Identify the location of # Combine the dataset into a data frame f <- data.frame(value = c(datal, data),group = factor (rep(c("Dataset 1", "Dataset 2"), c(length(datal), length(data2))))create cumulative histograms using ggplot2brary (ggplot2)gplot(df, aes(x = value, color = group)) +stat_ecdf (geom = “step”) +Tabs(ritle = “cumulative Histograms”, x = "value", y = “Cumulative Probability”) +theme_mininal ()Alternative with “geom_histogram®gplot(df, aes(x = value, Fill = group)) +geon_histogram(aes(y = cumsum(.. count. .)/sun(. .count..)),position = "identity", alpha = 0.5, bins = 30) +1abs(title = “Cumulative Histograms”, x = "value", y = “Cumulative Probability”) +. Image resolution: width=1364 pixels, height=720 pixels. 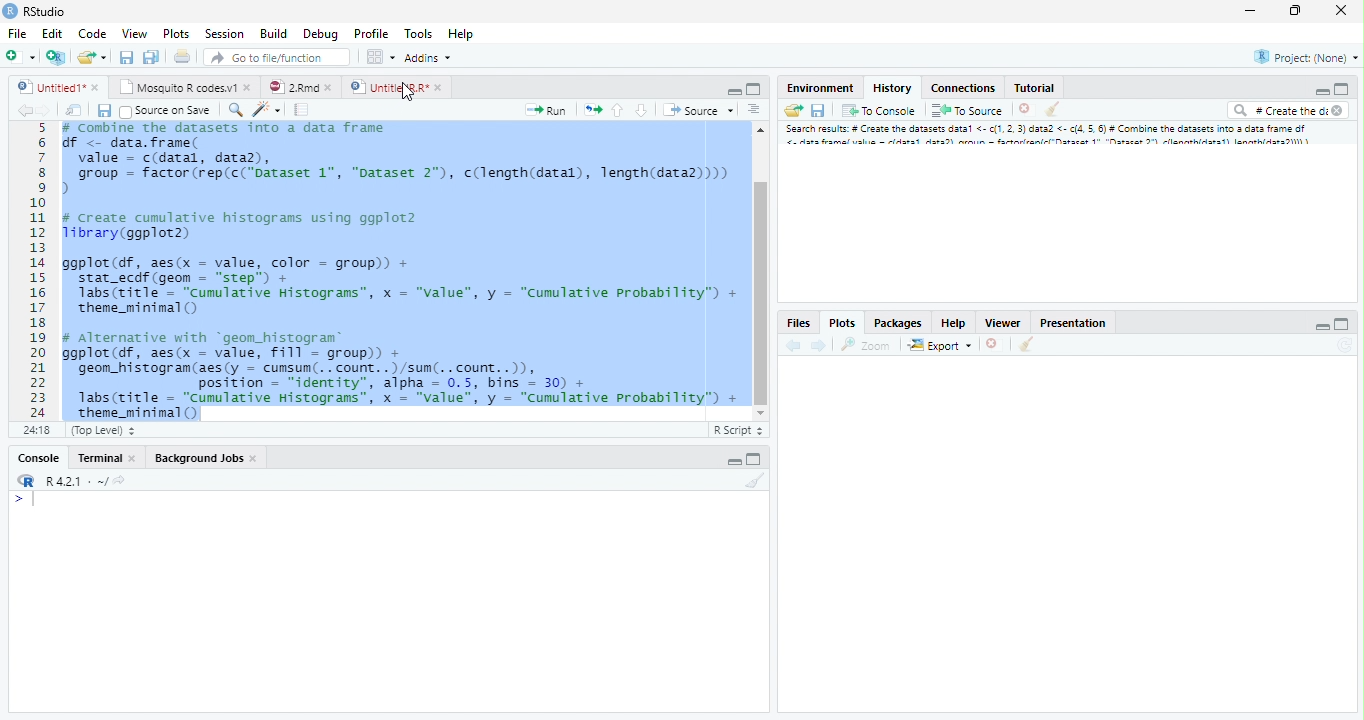
(402, 271).